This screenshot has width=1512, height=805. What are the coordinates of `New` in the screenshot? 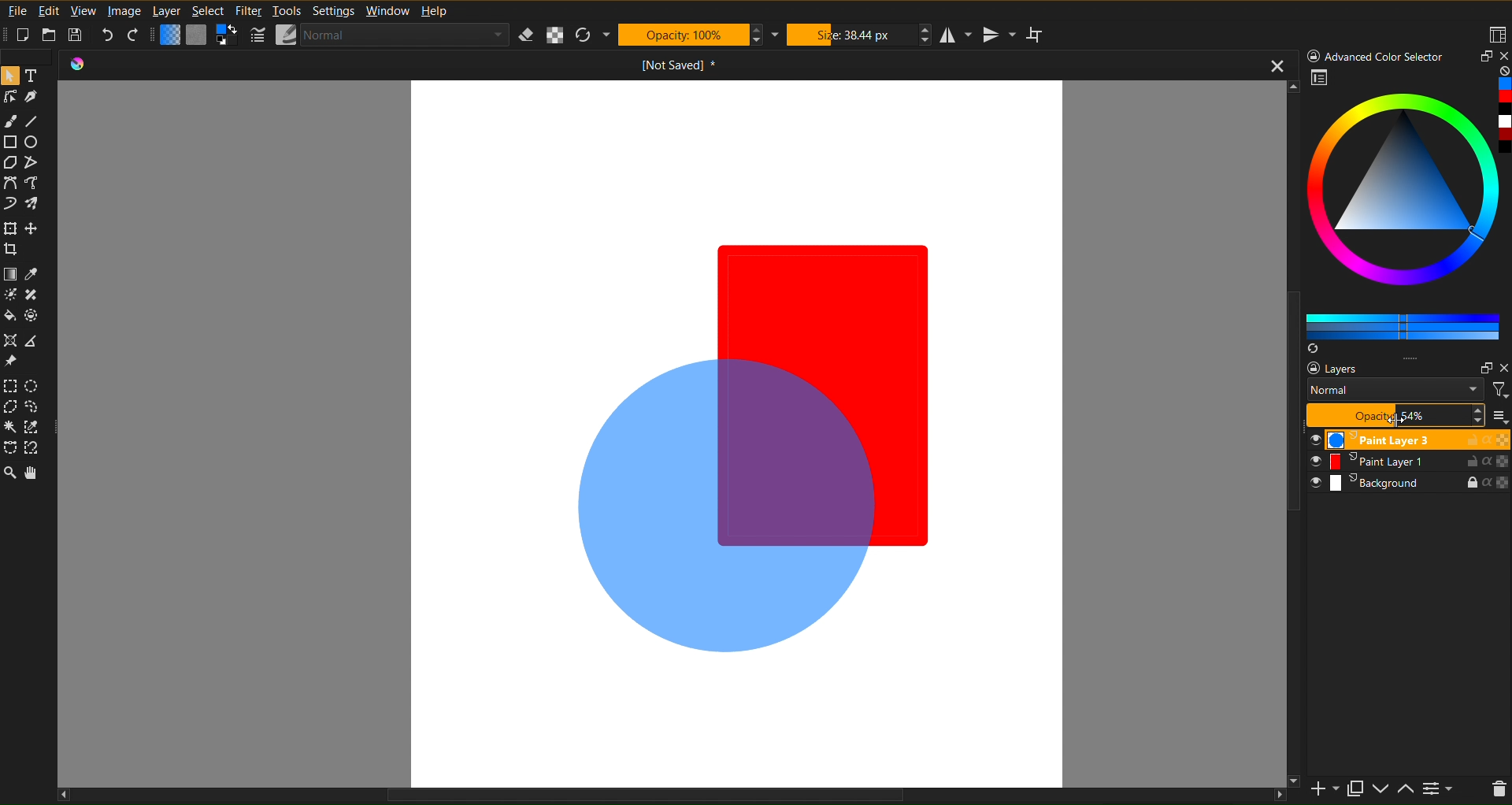 It's located at (30, 35).